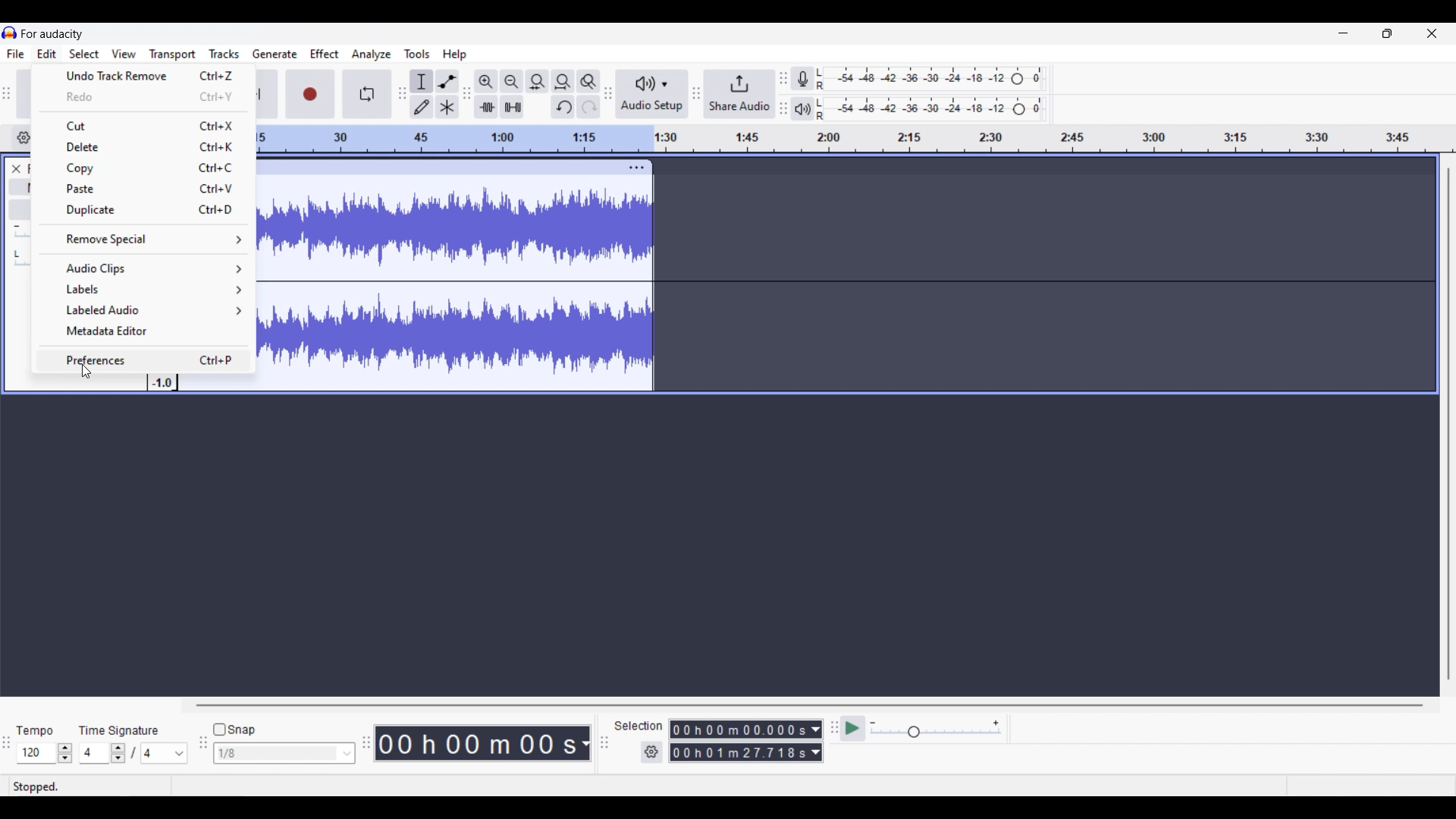 The height and width of the screenshot is (819, 1456). What do you see at coordinates (143, 238) in the screenshot?
I see `Remove special options` at bounding box center [143, 238].